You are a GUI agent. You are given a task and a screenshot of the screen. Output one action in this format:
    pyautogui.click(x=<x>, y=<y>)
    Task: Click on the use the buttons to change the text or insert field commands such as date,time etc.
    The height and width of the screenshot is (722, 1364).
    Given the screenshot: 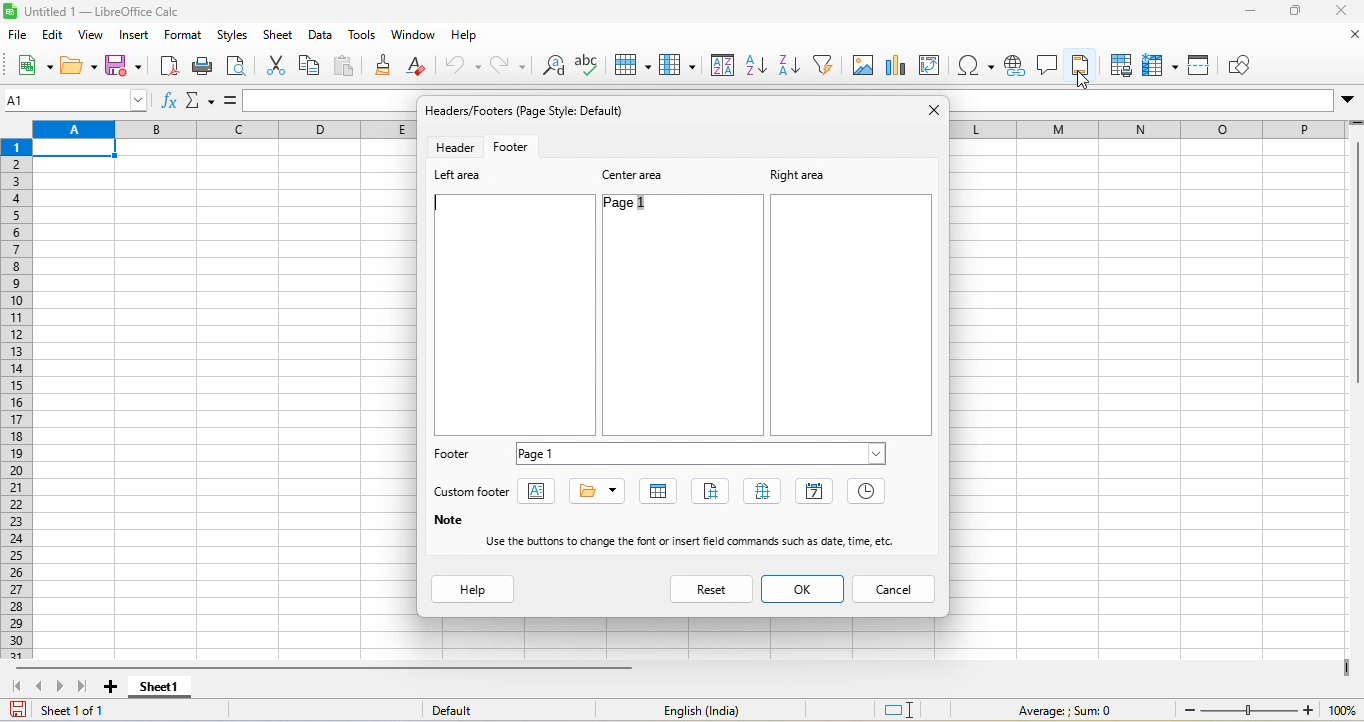 What is the action you would take?
    pyautogui.click(x=699, y=541)
    